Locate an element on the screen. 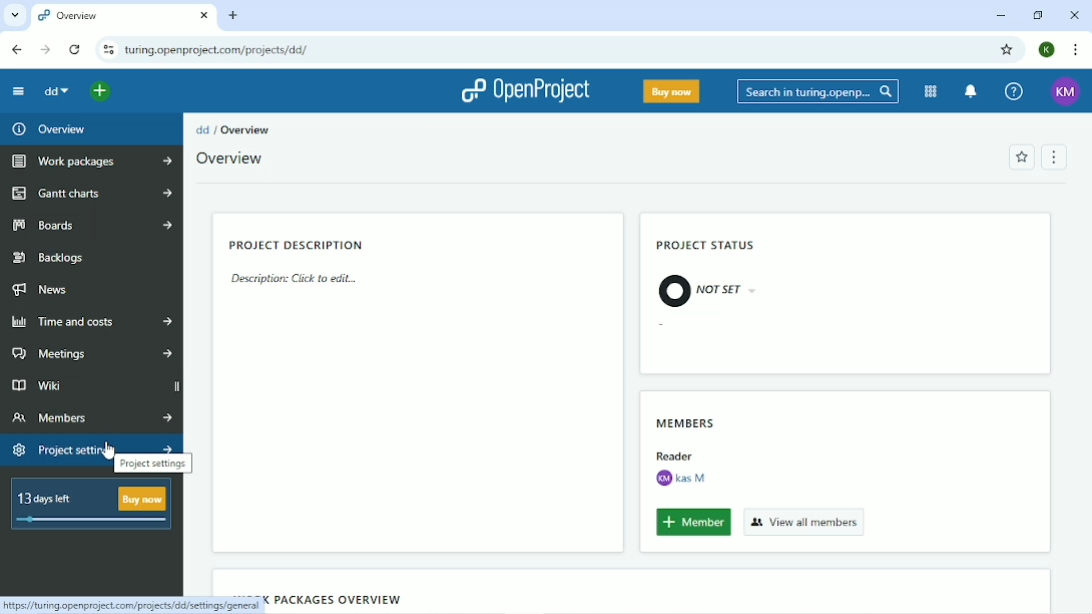  Boards is located at coordinates (93, 224).